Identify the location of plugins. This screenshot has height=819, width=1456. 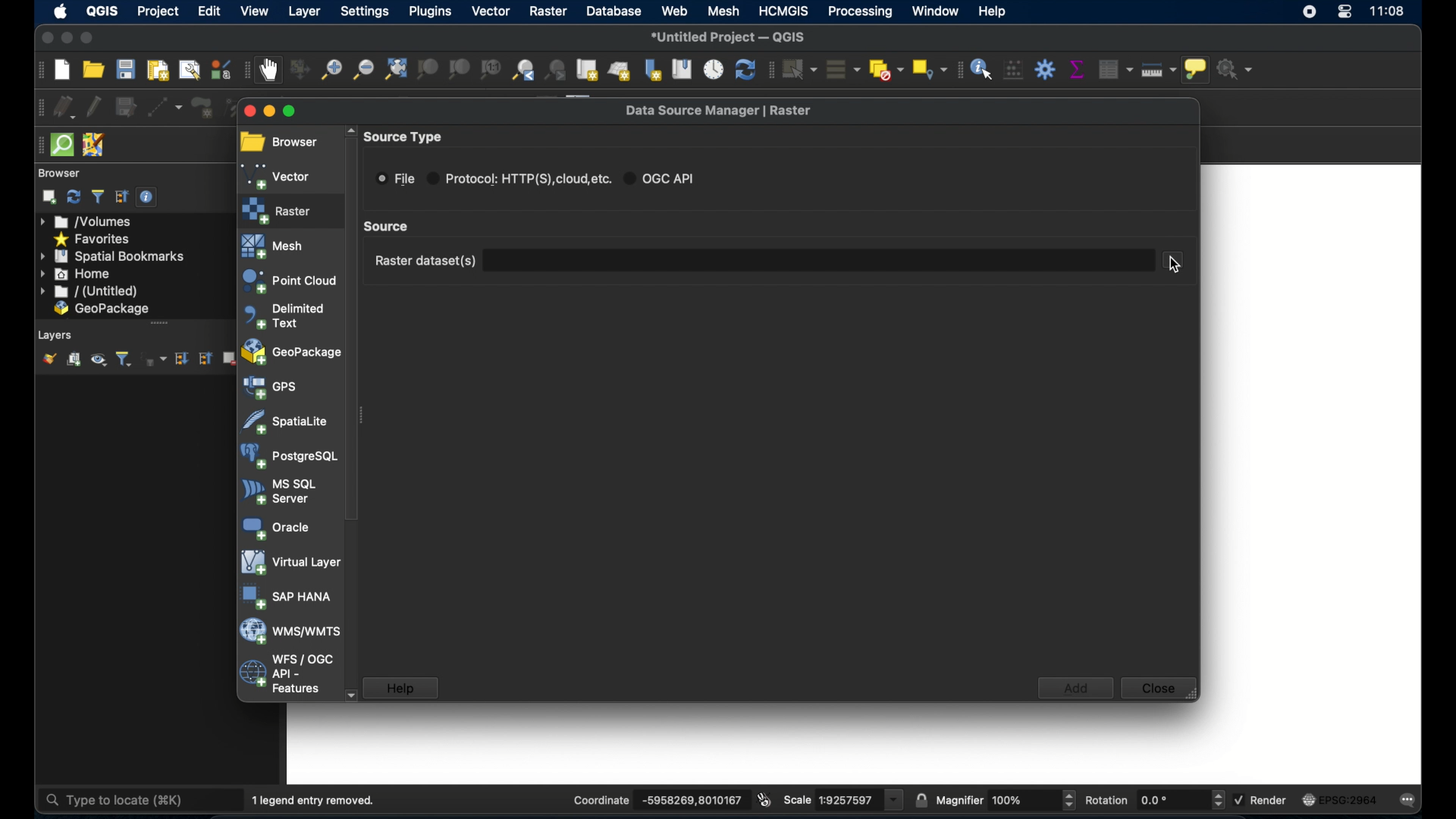
(429, 12).